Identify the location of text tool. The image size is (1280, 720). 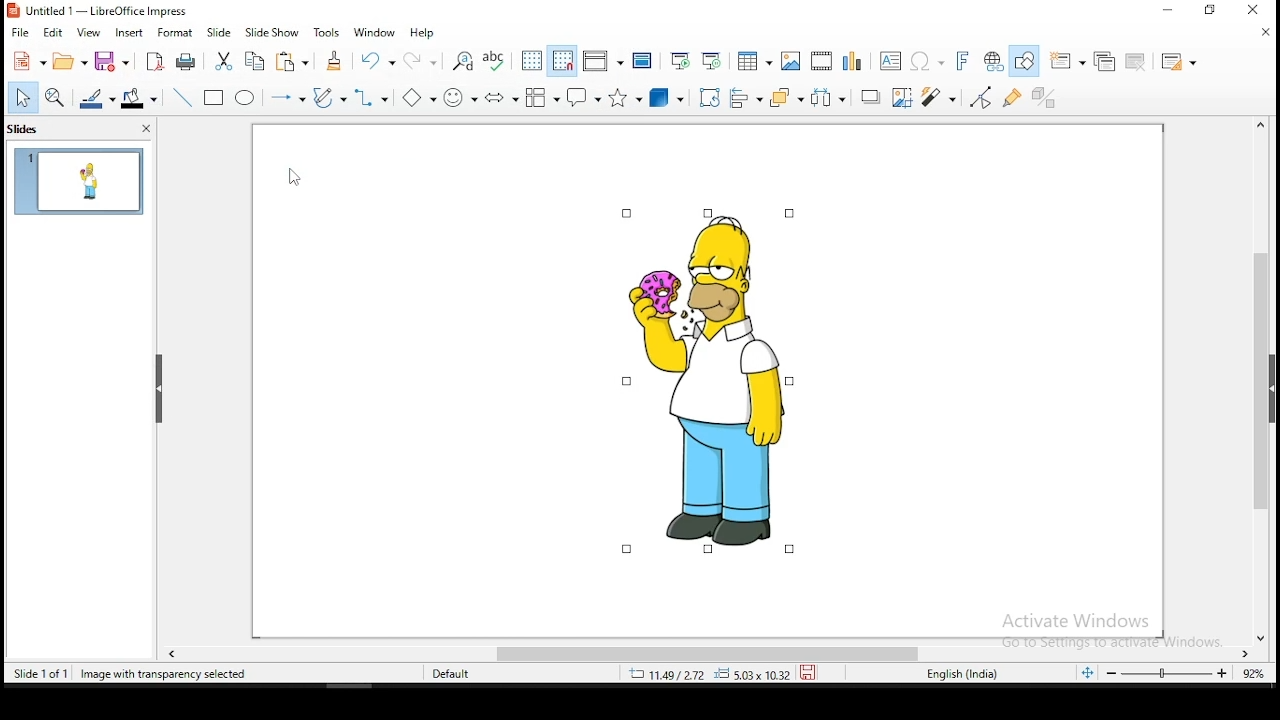
(891, 60).